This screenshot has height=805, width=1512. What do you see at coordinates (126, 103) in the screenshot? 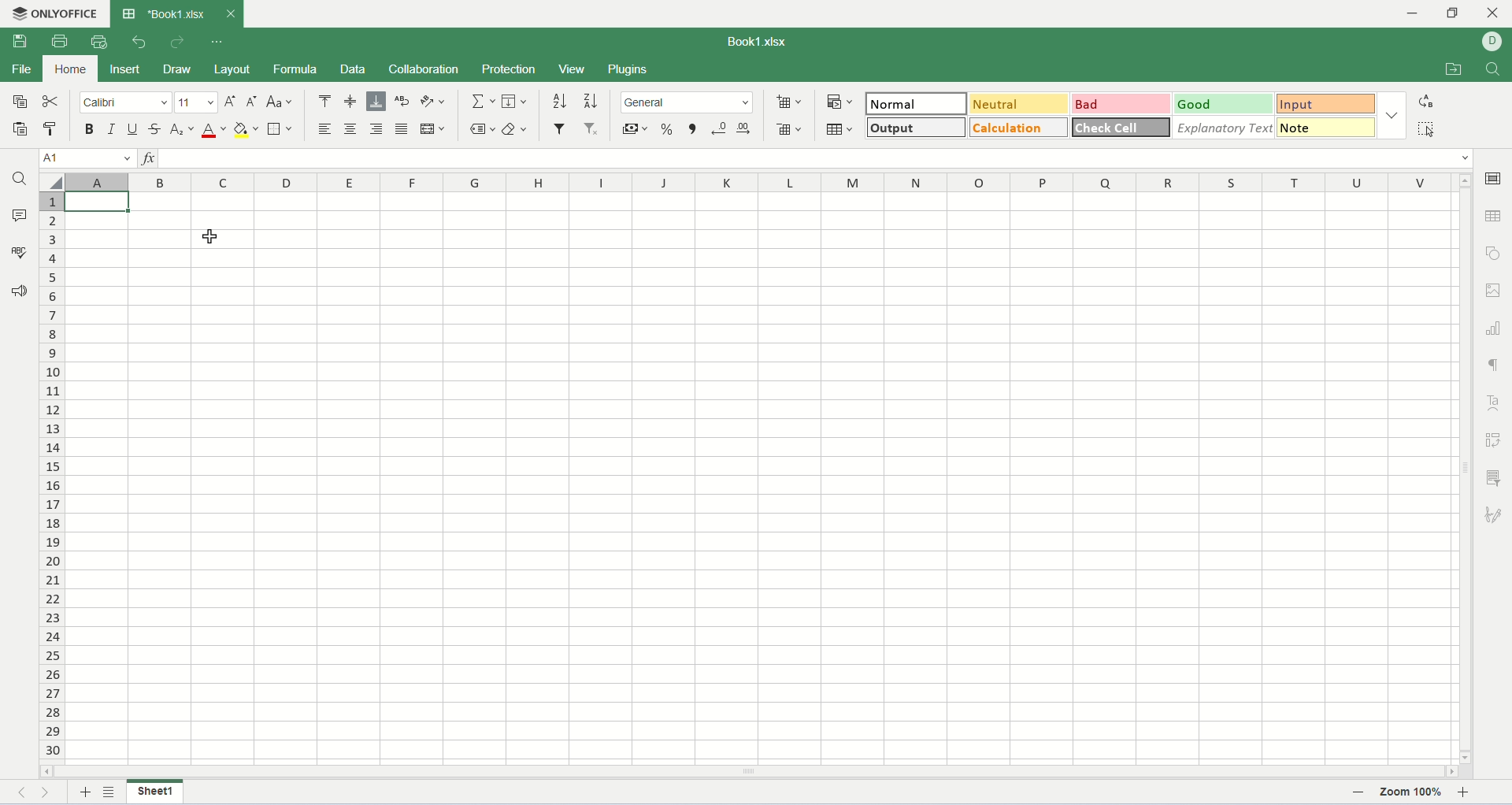
I see `font name` at bounding box center [126, 103].